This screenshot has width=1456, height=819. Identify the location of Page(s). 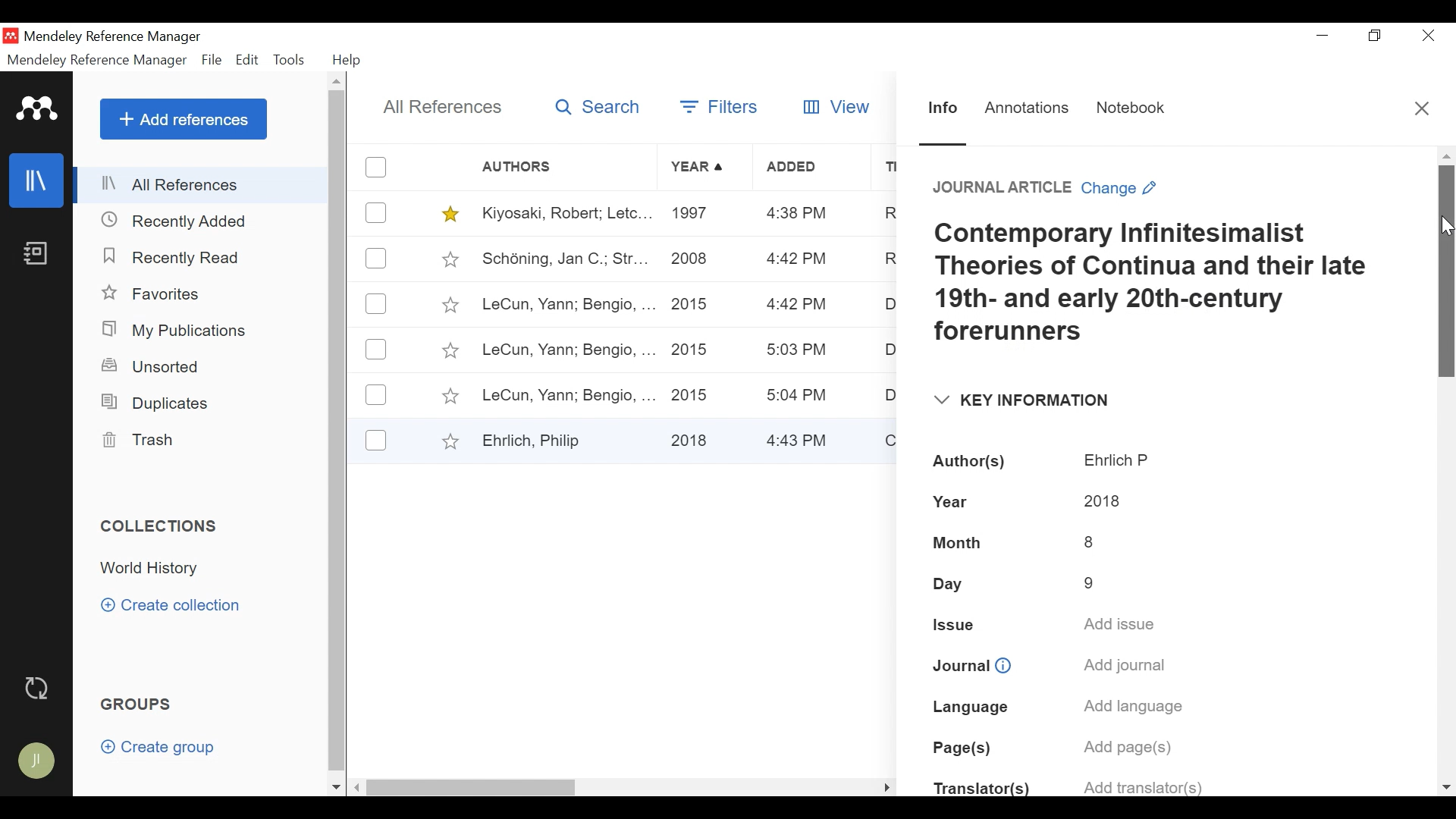
(963, 750).